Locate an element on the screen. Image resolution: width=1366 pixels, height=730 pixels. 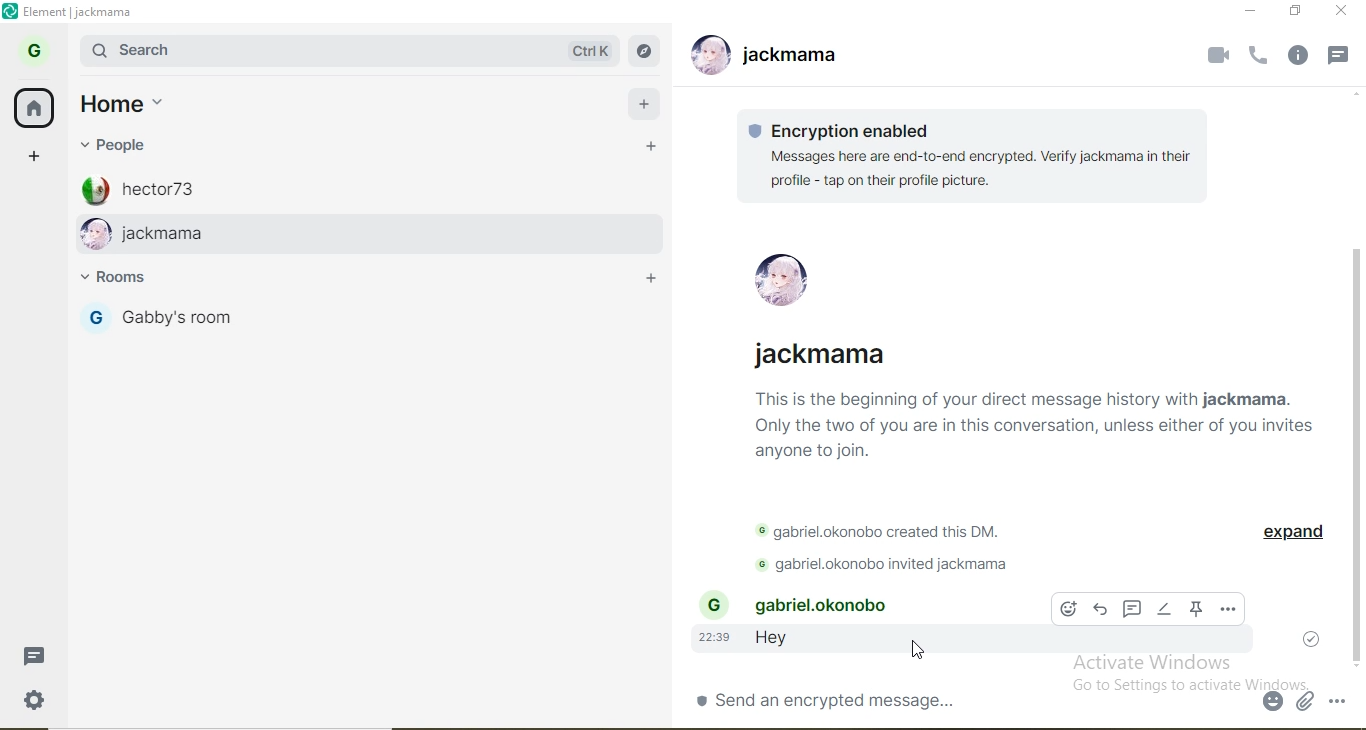
chatbox is located at coordinates (972, 699).